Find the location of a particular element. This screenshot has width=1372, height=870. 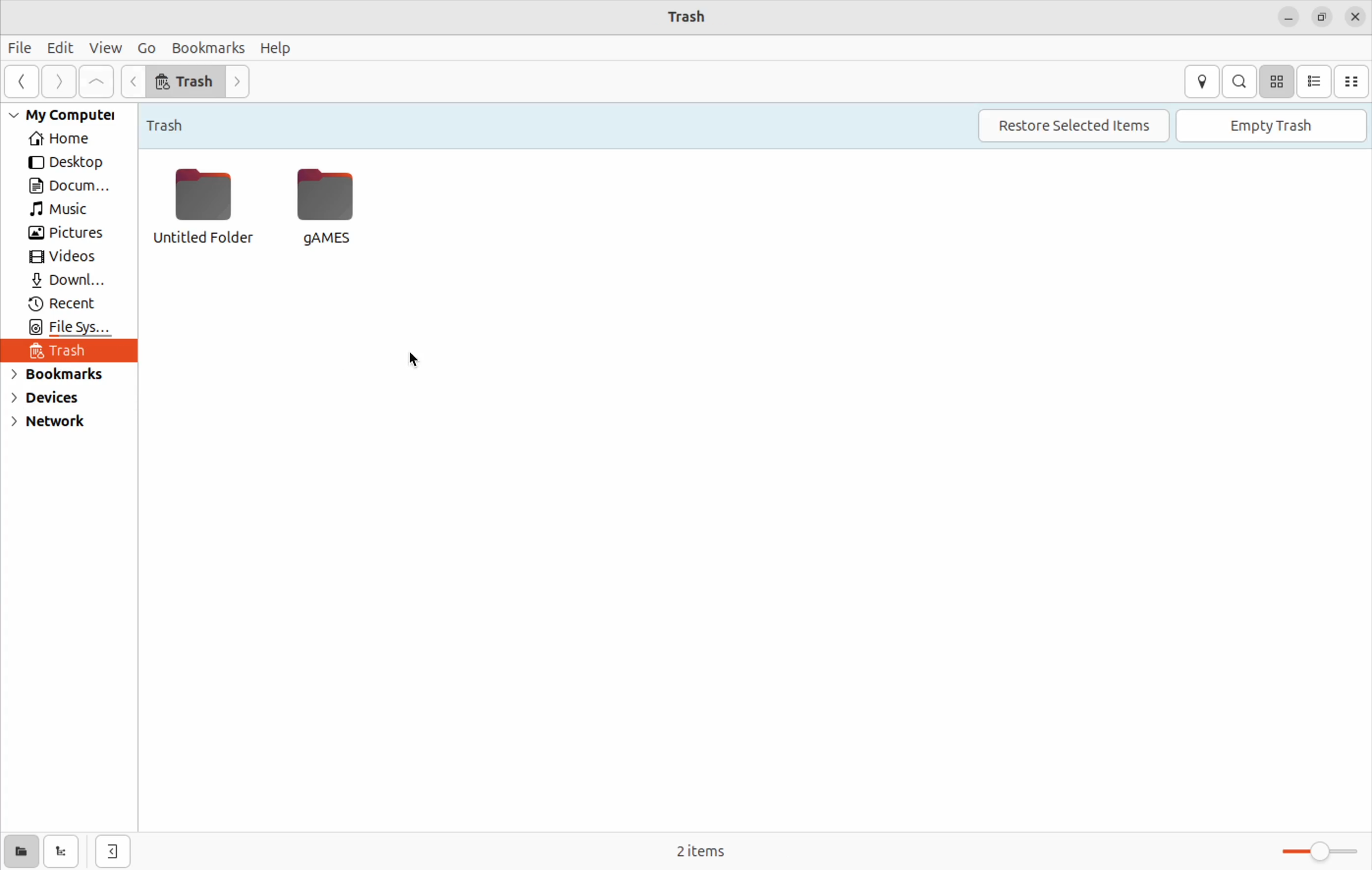

Restore selected items is located at coordinates (1080, 126).